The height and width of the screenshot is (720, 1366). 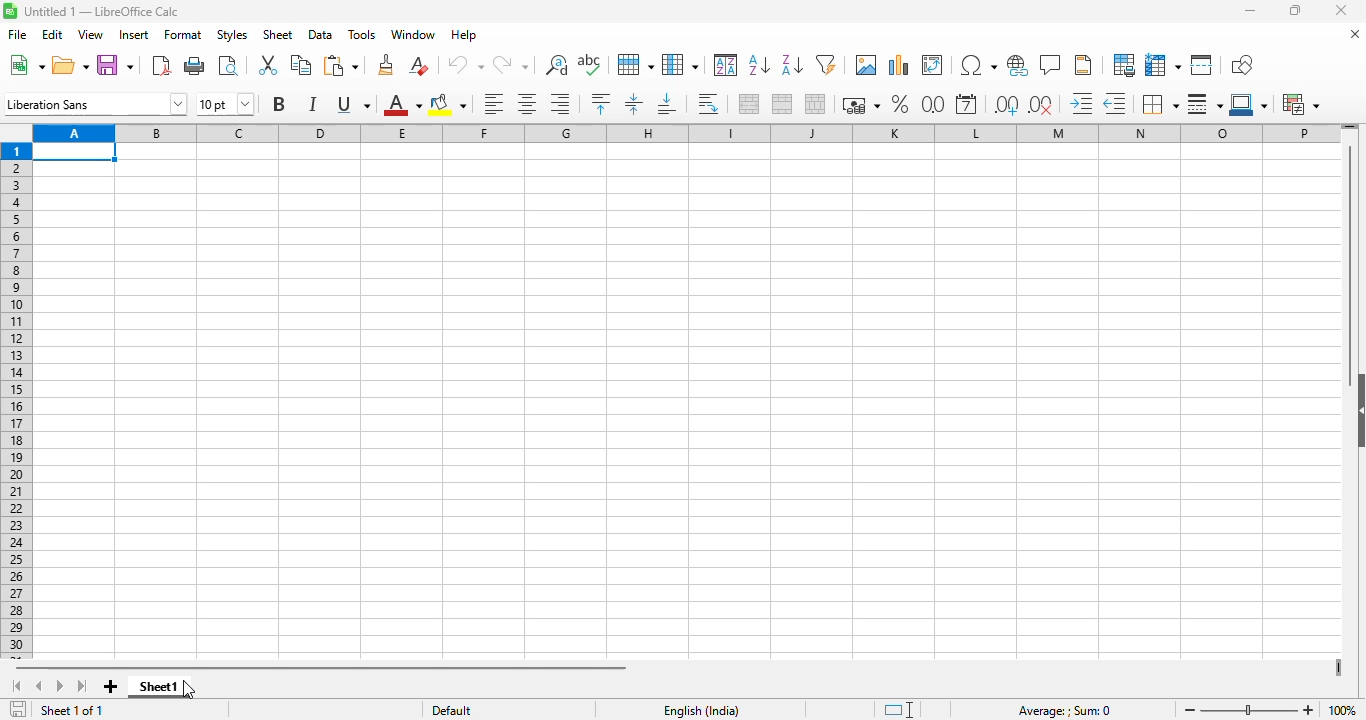 What do you see at coordinates (229, 66) in the screenshot?
I see `toggle print preview` at bounding box center [229, 66].